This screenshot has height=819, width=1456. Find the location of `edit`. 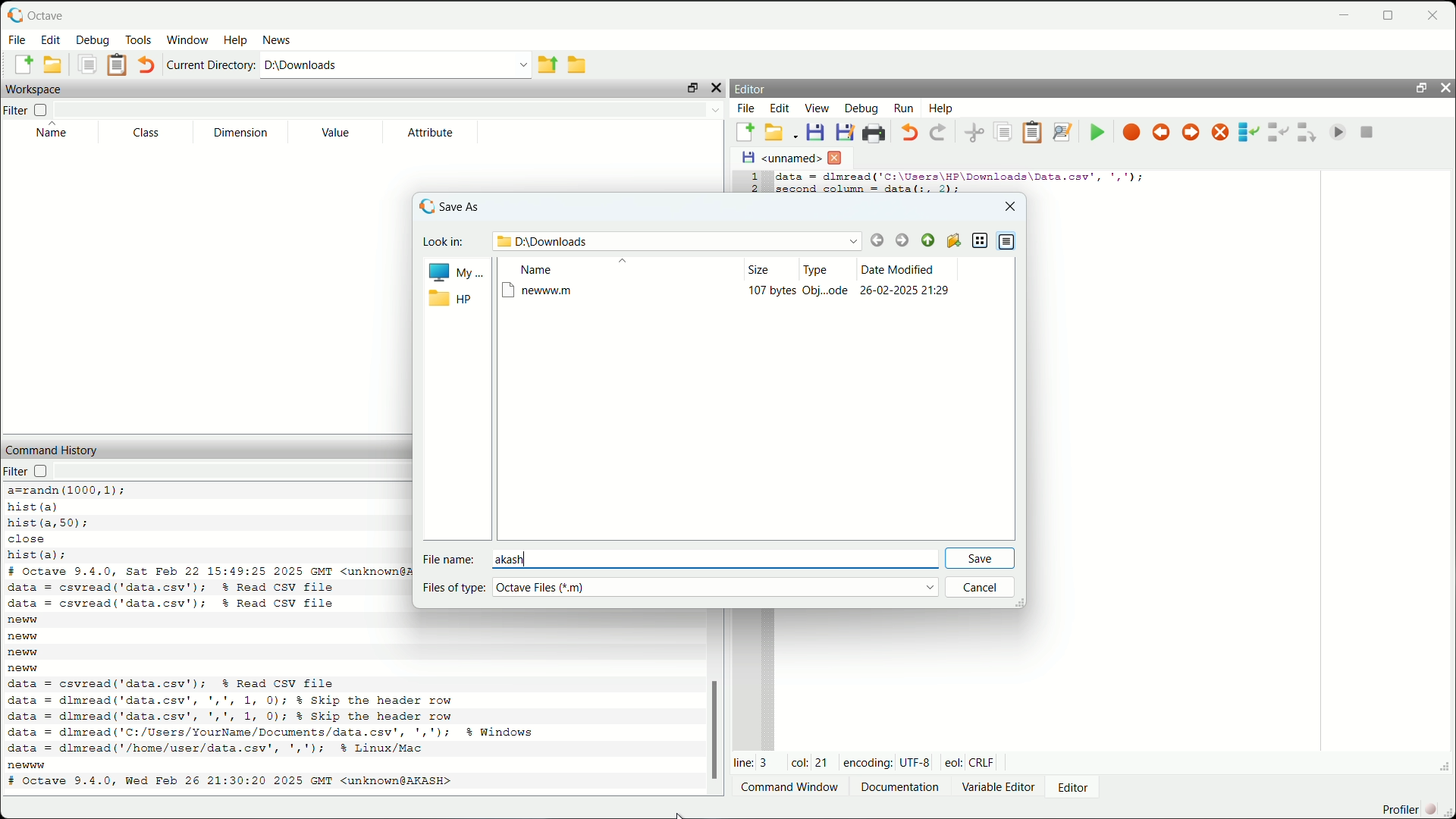

edit is located at coordinates (781, 111).